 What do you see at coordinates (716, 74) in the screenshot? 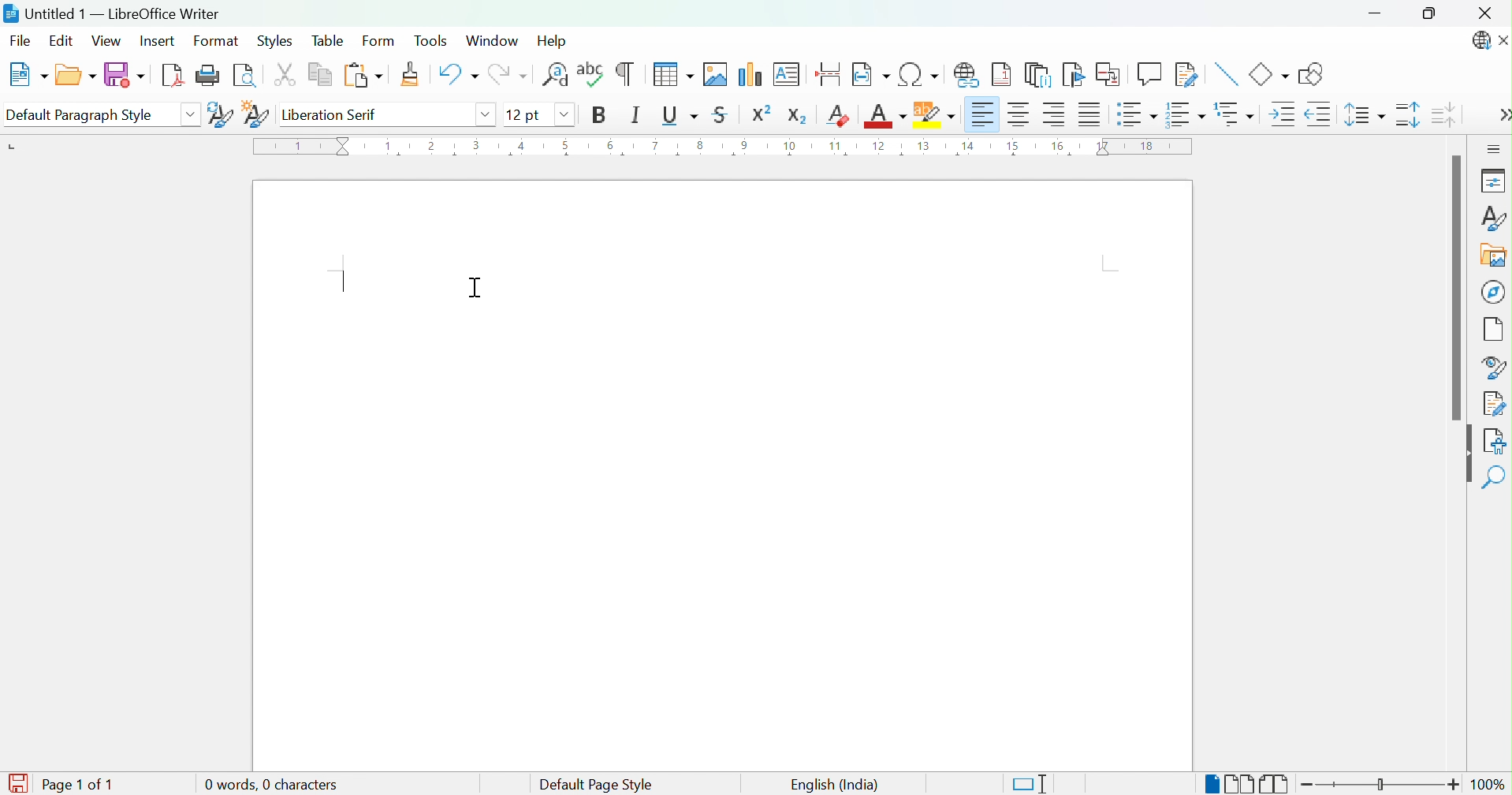
I see `Insert Image` at bounding box center [716, 74].